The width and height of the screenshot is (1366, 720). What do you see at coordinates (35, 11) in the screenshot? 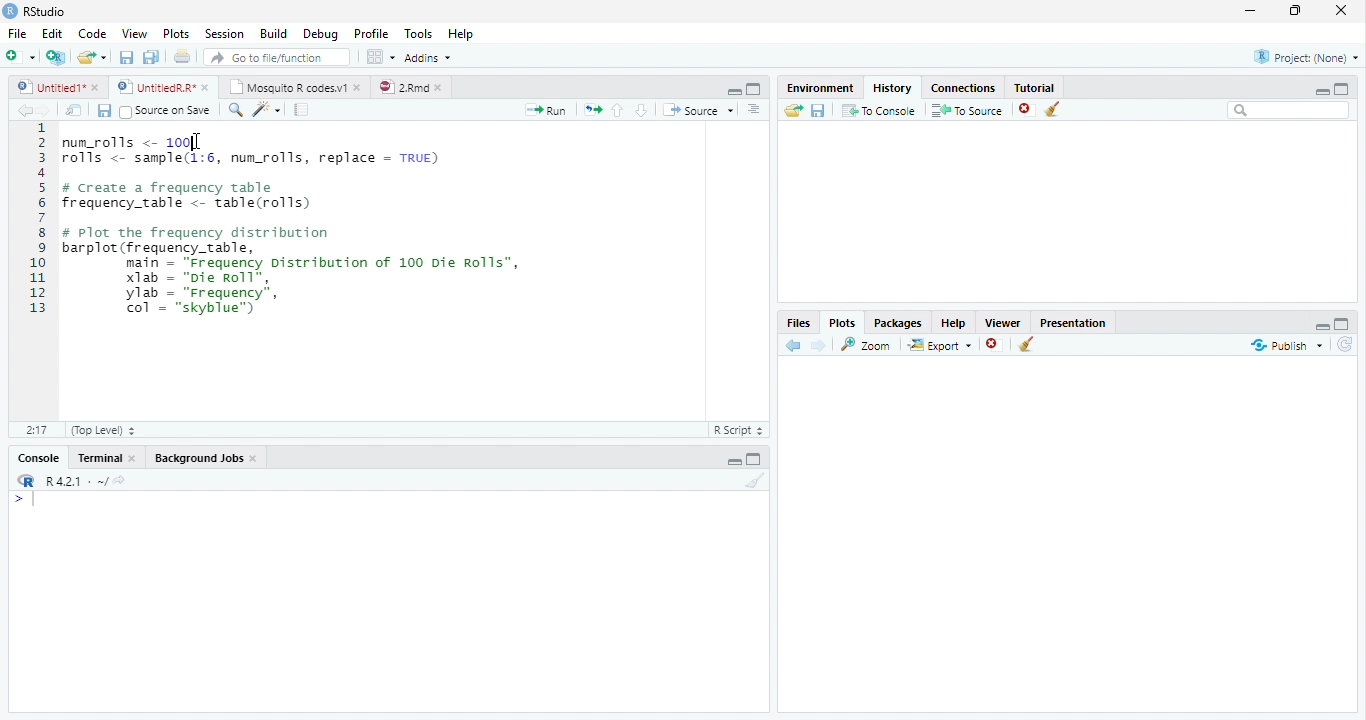
I see `RStudio` at bounding box center [35, 11].